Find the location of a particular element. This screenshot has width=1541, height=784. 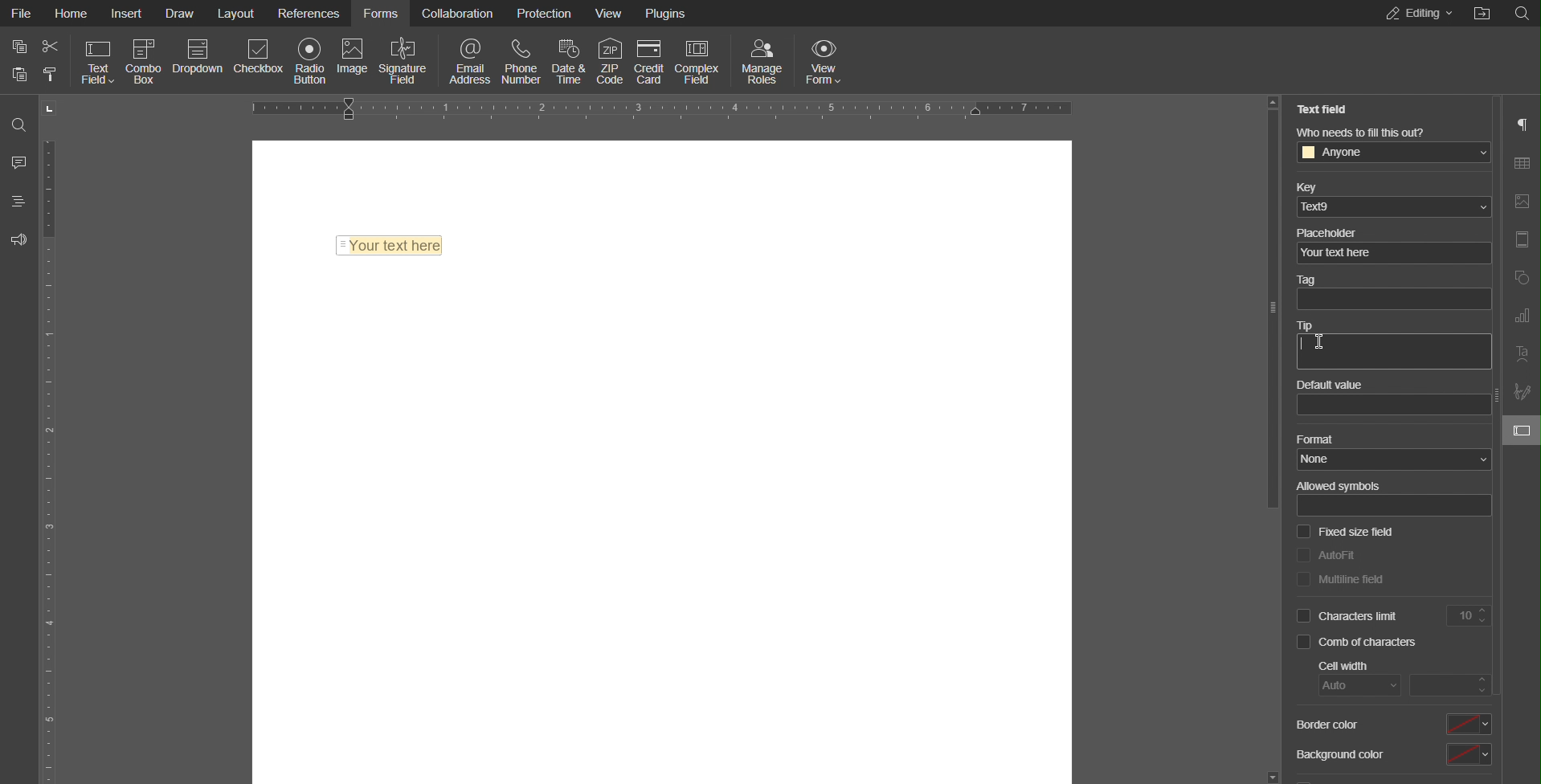

Shape Settings is located at coordinates (1521, 275).